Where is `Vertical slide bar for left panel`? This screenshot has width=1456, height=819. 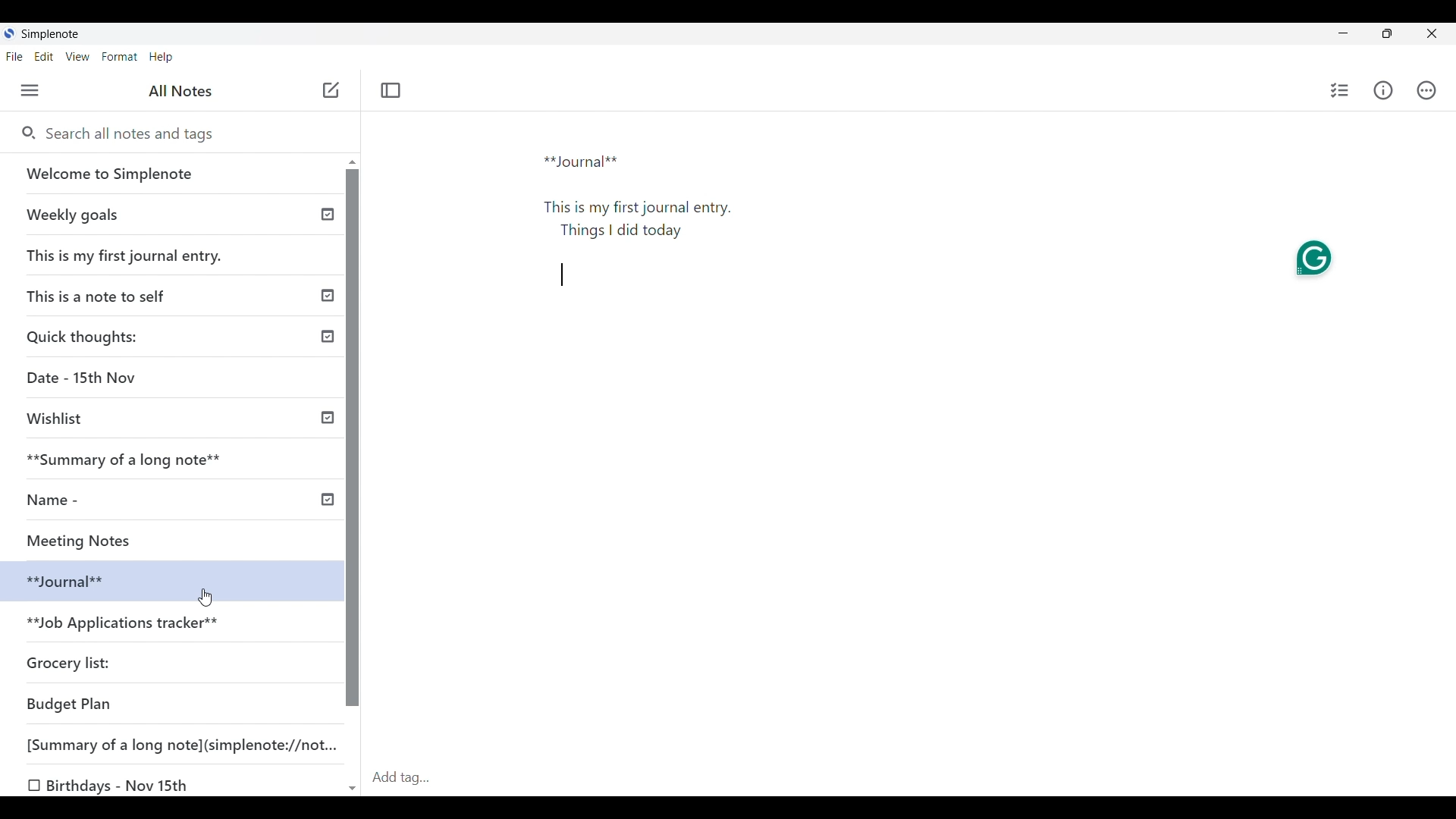
Vertical slide bar for left panel is located at coordinates (353, 438).